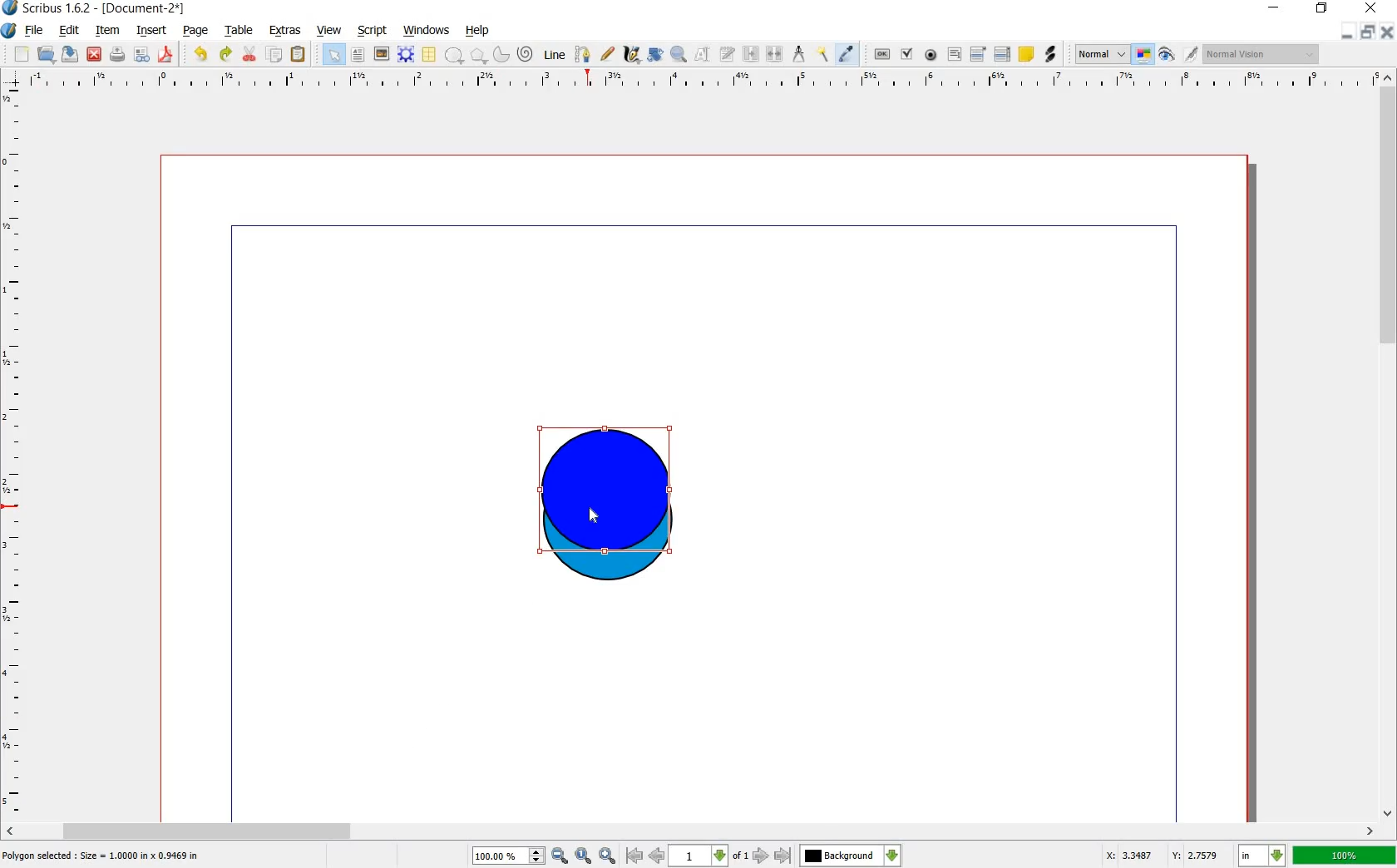 The height and width of the screenshot is (868, 1397). I want to click on preflight verifier, so click(142, 55).